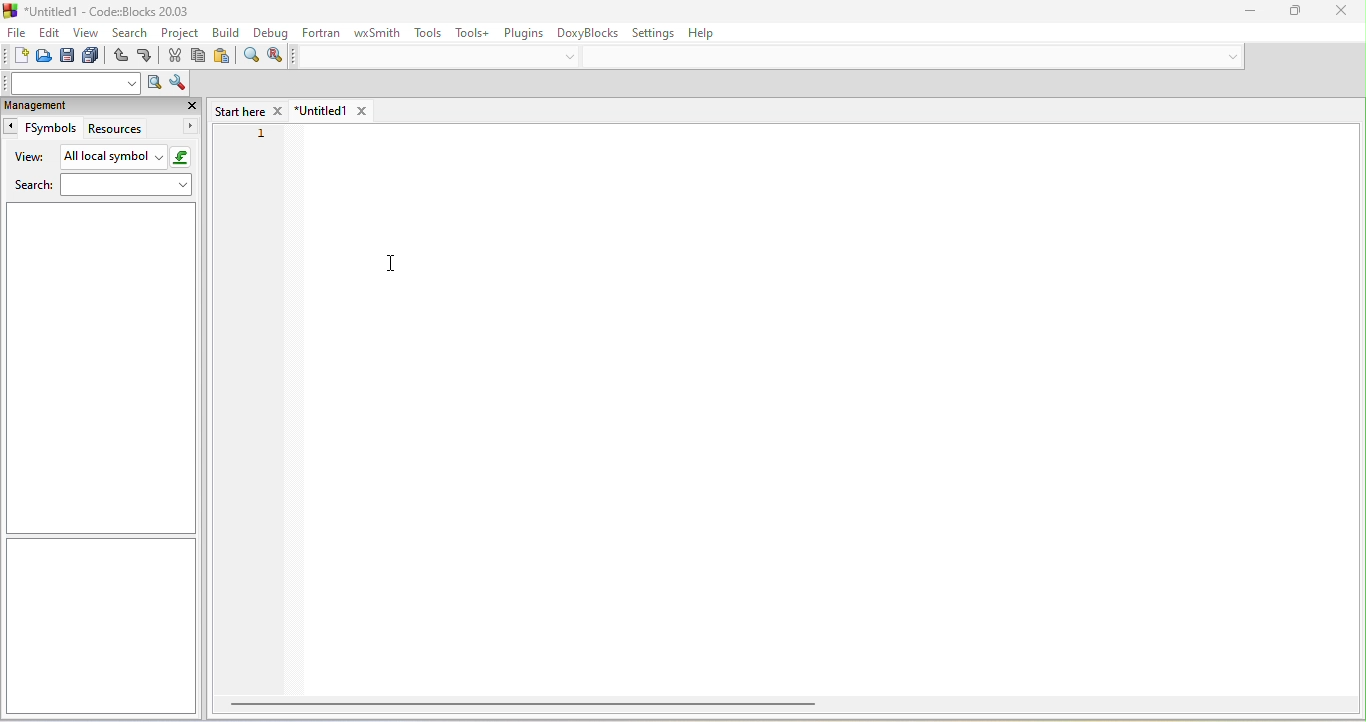 The image size is (1366, 722). What do you see at coordinates (1289, 13) in the screenshot?
I see `maximize` at bounding box center [1289, 13].